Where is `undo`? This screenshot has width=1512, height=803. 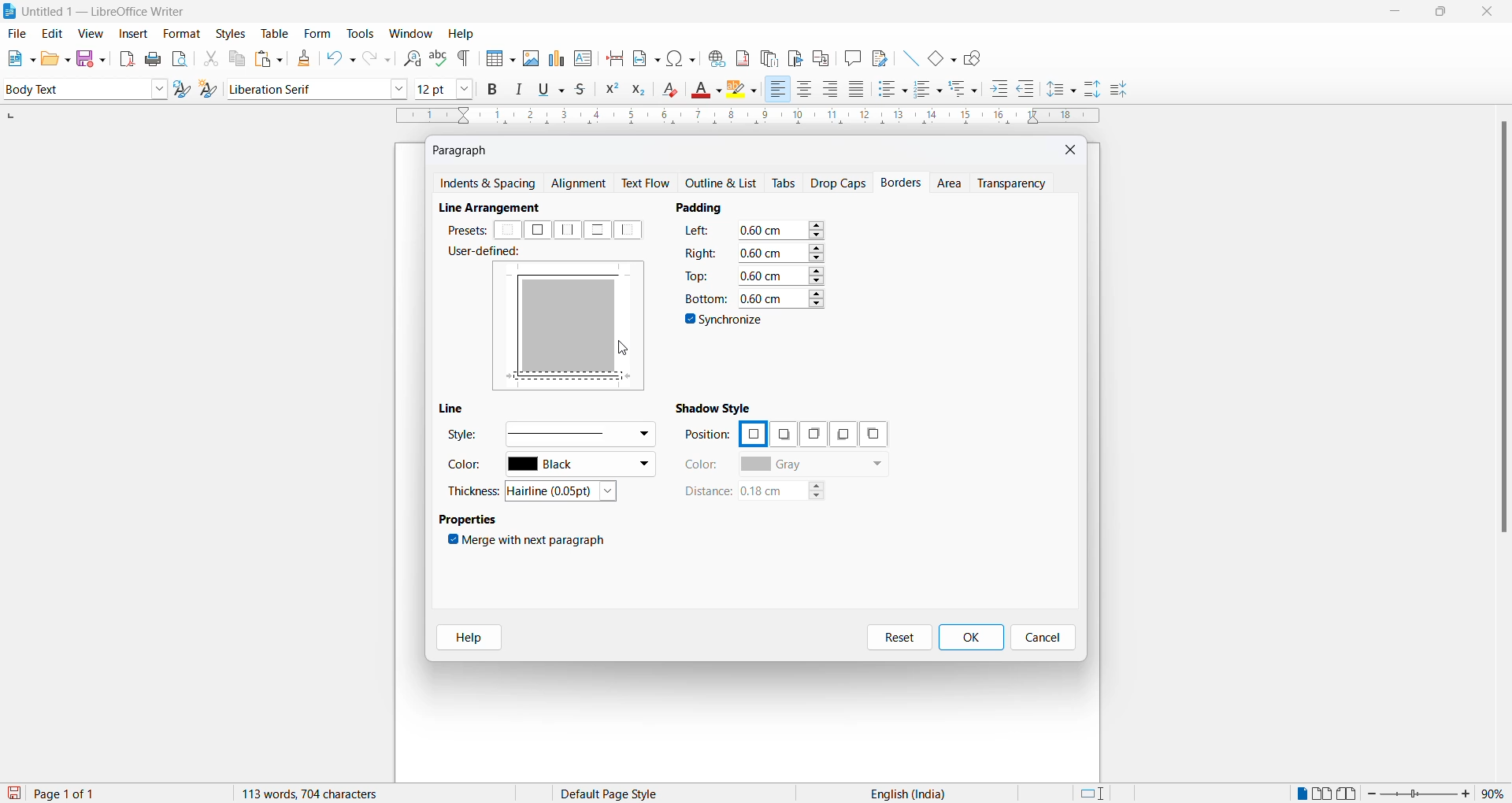 undo is located at coordinates (338, 58).